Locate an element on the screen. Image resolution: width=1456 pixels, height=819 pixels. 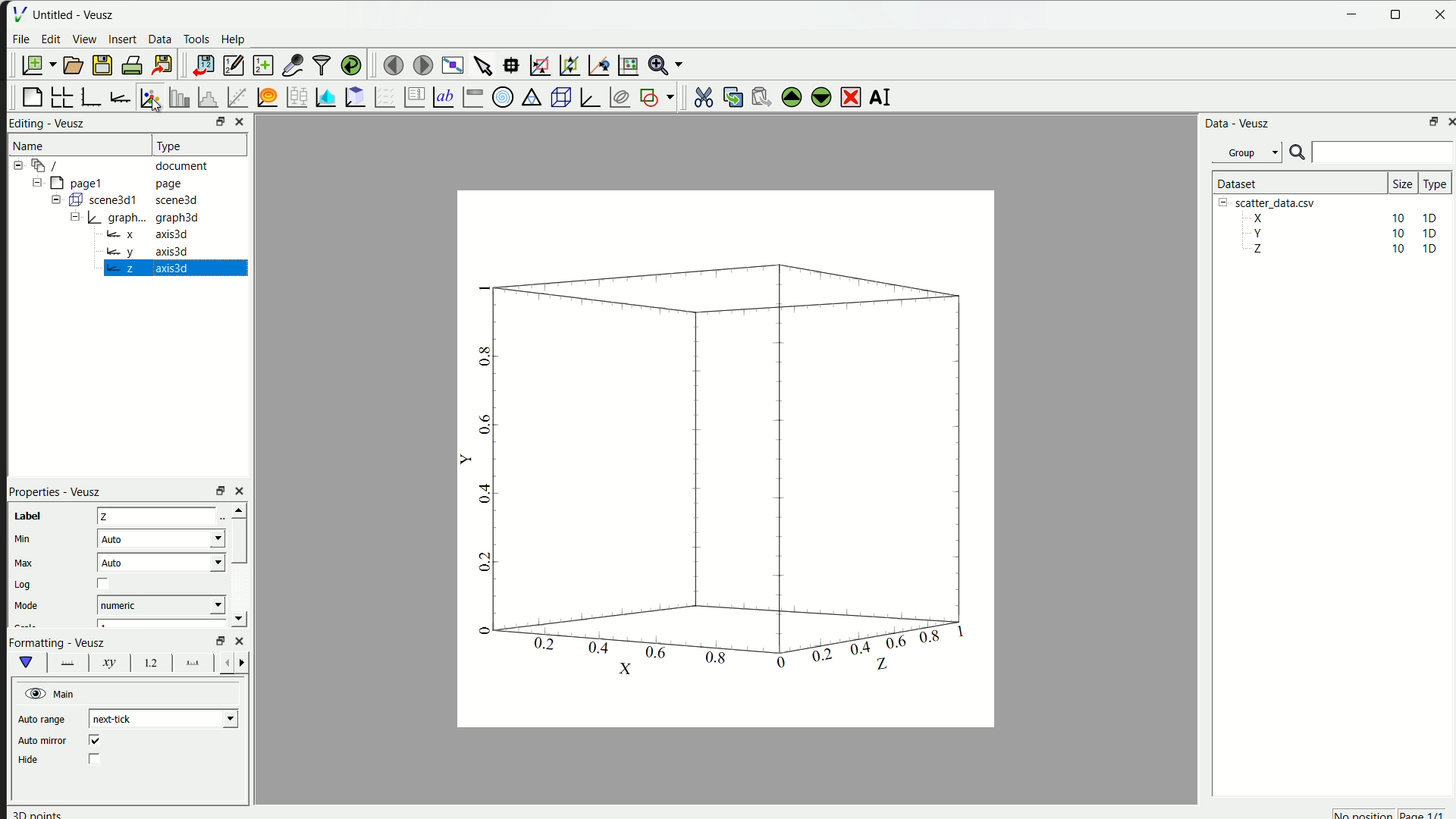
clipboard is located at coordinates (353, 97).